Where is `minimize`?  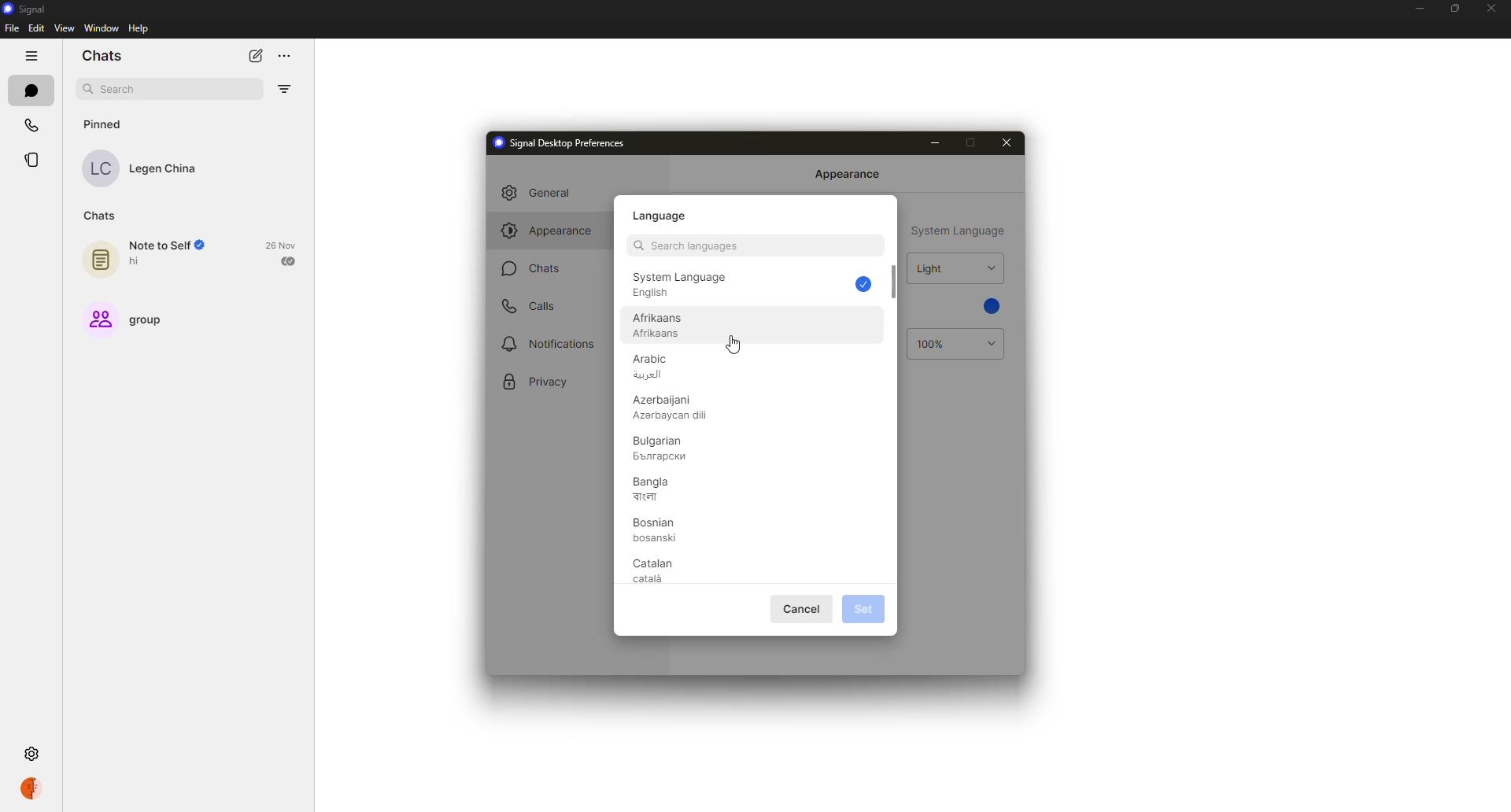 minimize is located at coordinates (933, 142).